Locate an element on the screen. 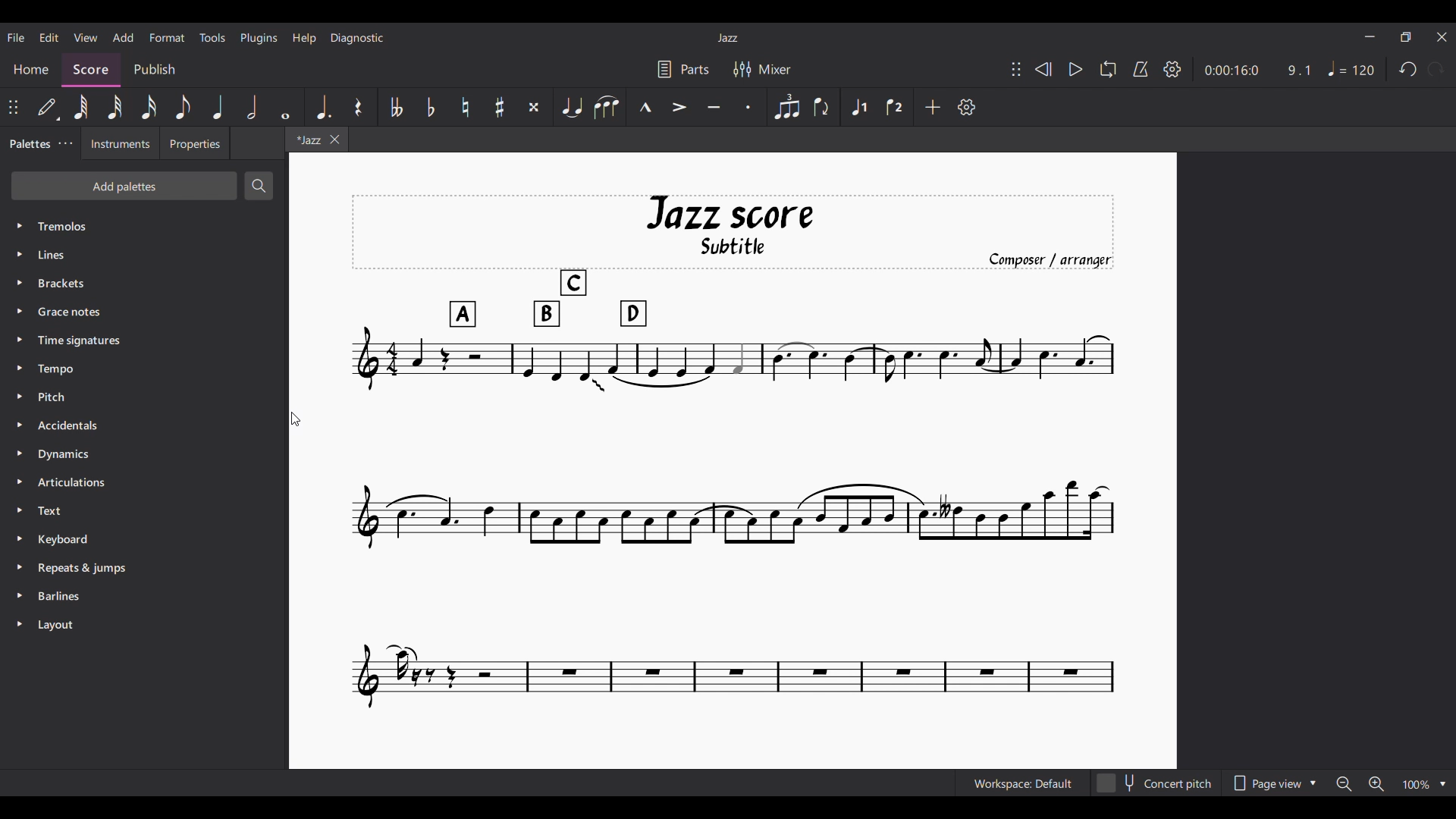 The width and height of the screenshot is (1456, 819). Flip direction is located at coordinates (824, 107).